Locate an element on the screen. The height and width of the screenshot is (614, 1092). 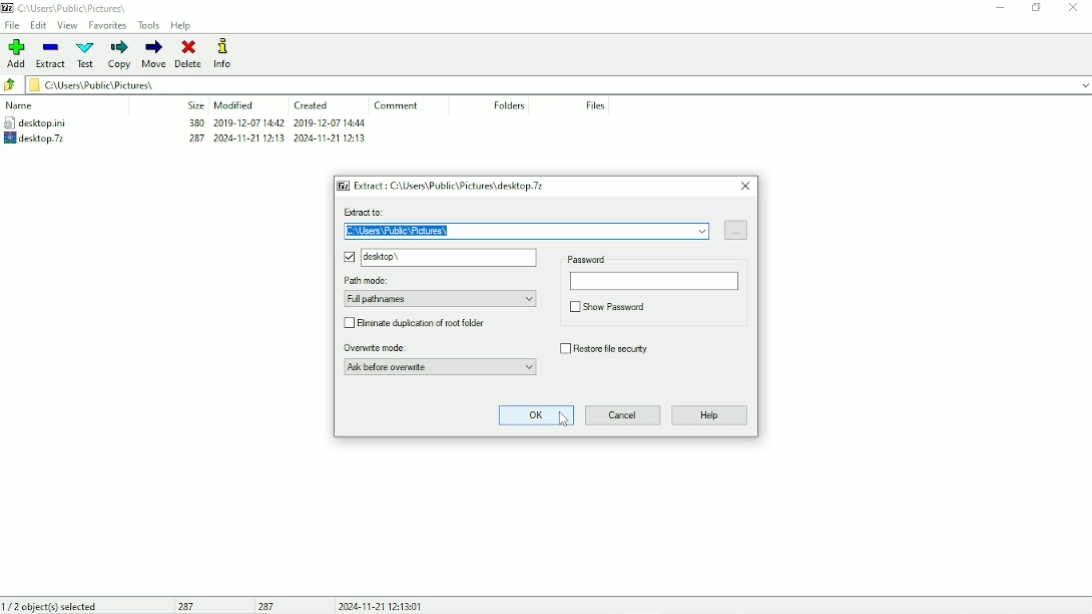
Created is located at coordinates (313, 106).